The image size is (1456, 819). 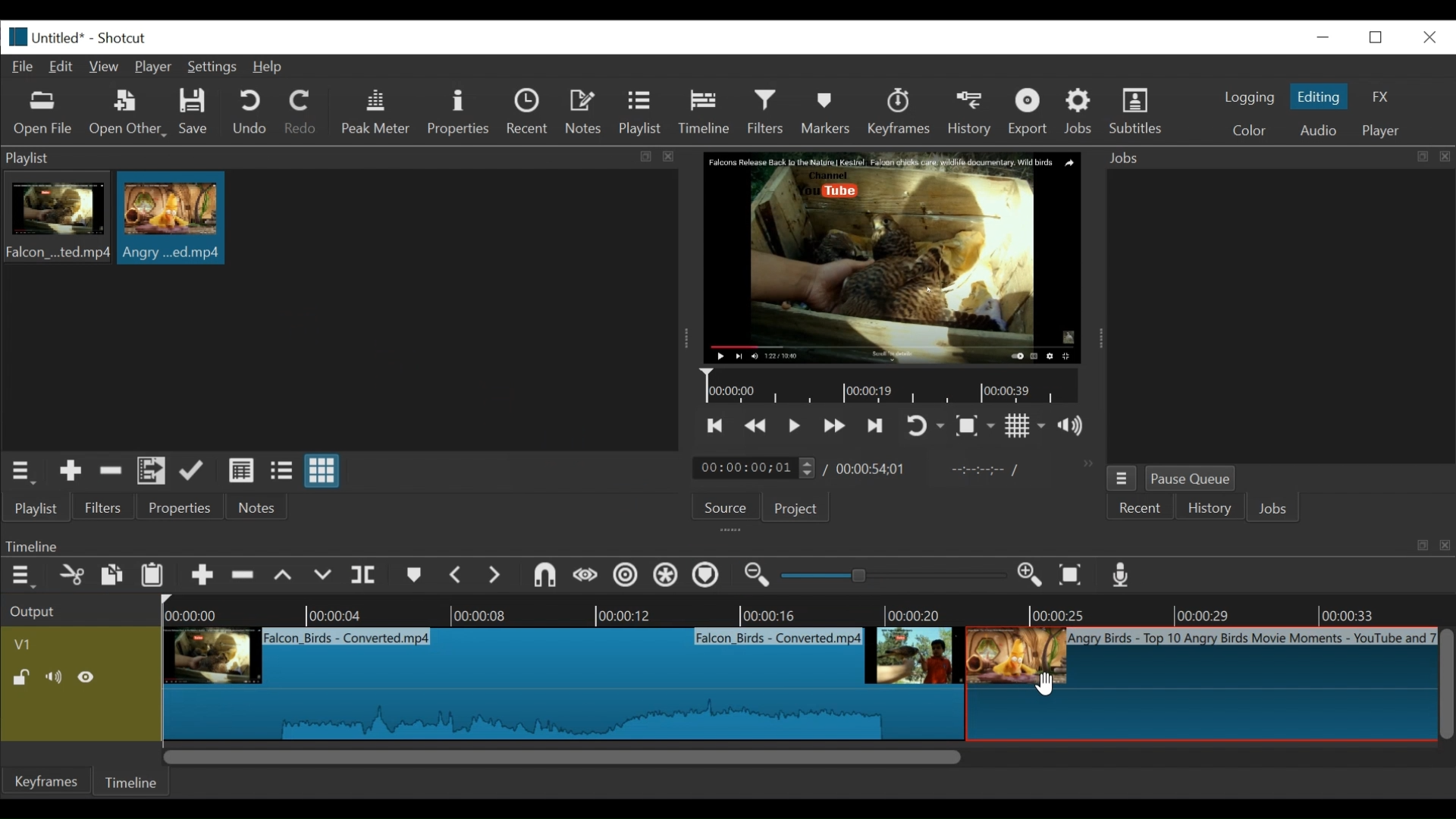 I want to click on clip, so click(x=1210, y=684).